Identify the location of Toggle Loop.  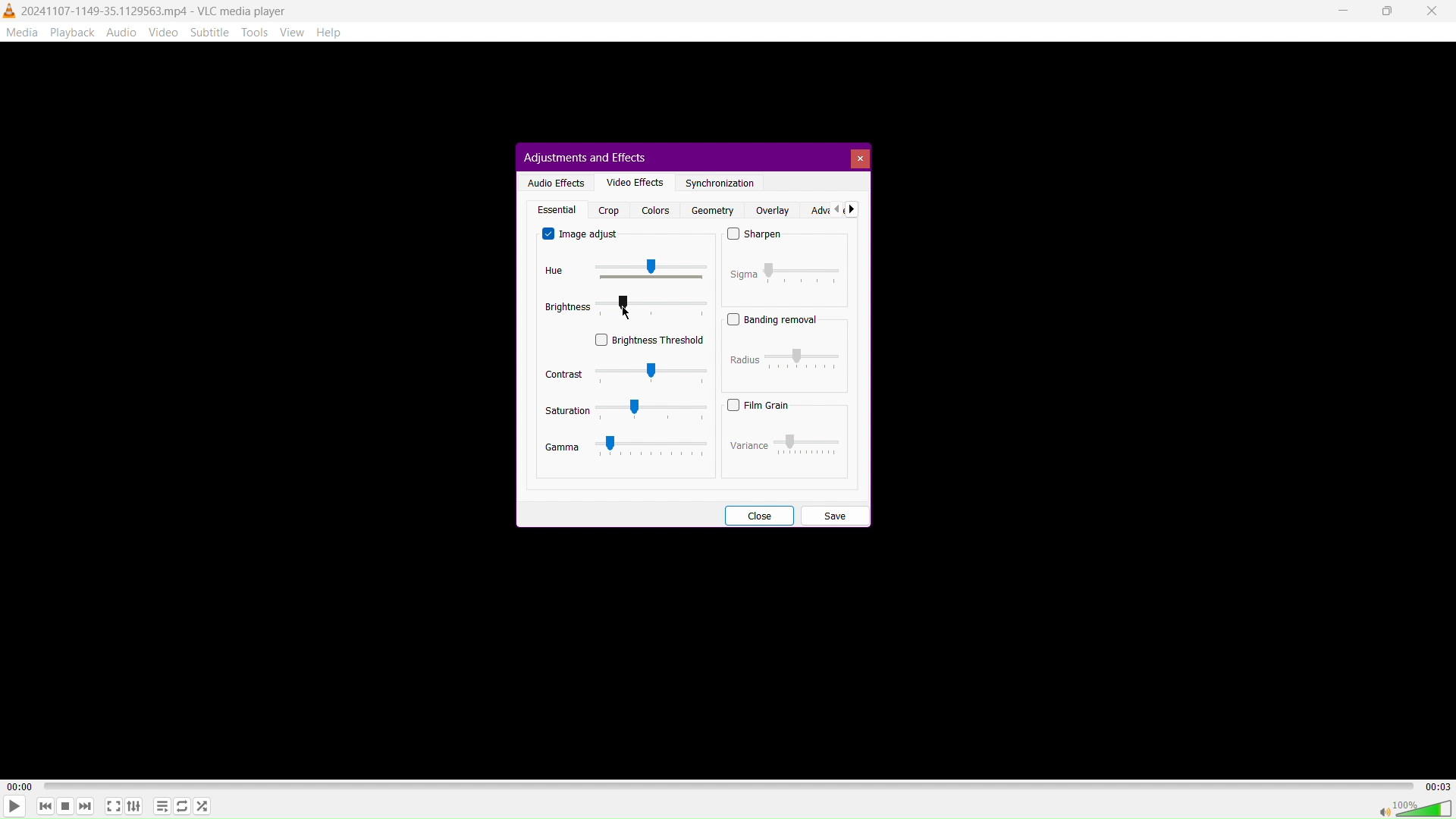
(182, 807).